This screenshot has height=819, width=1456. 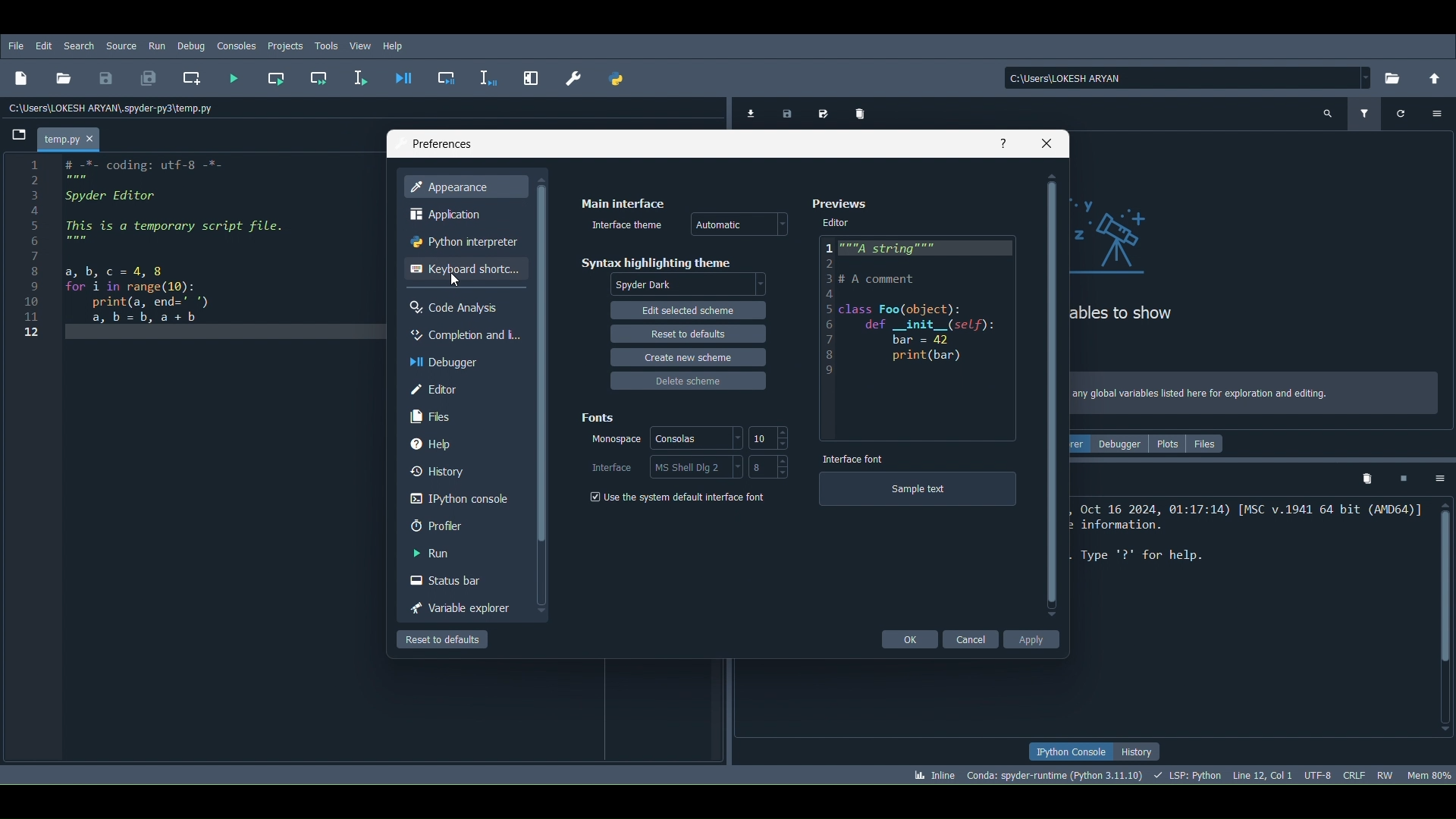 What do you see at coordinates (918, 492) in the screenshot?
I see `Sample text` at bounding box center [918, 492].